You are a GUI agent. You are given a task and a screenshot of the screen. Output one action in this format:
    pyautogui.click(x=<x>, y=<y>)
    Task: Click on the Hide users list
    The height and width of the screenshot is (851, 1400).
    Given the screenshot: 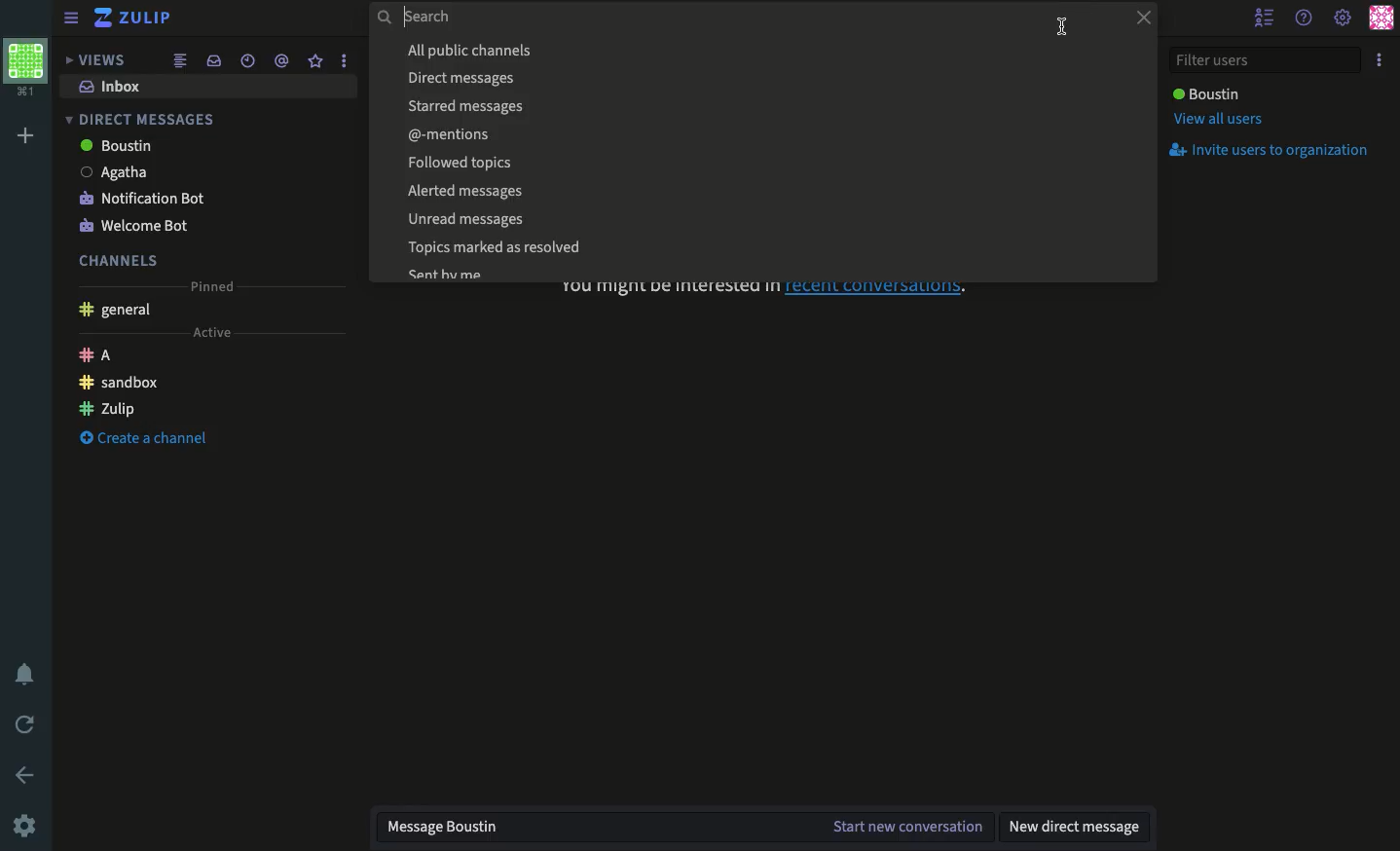 What is the action you would take?
    pyautogui.click(x=1267, y=18)
    